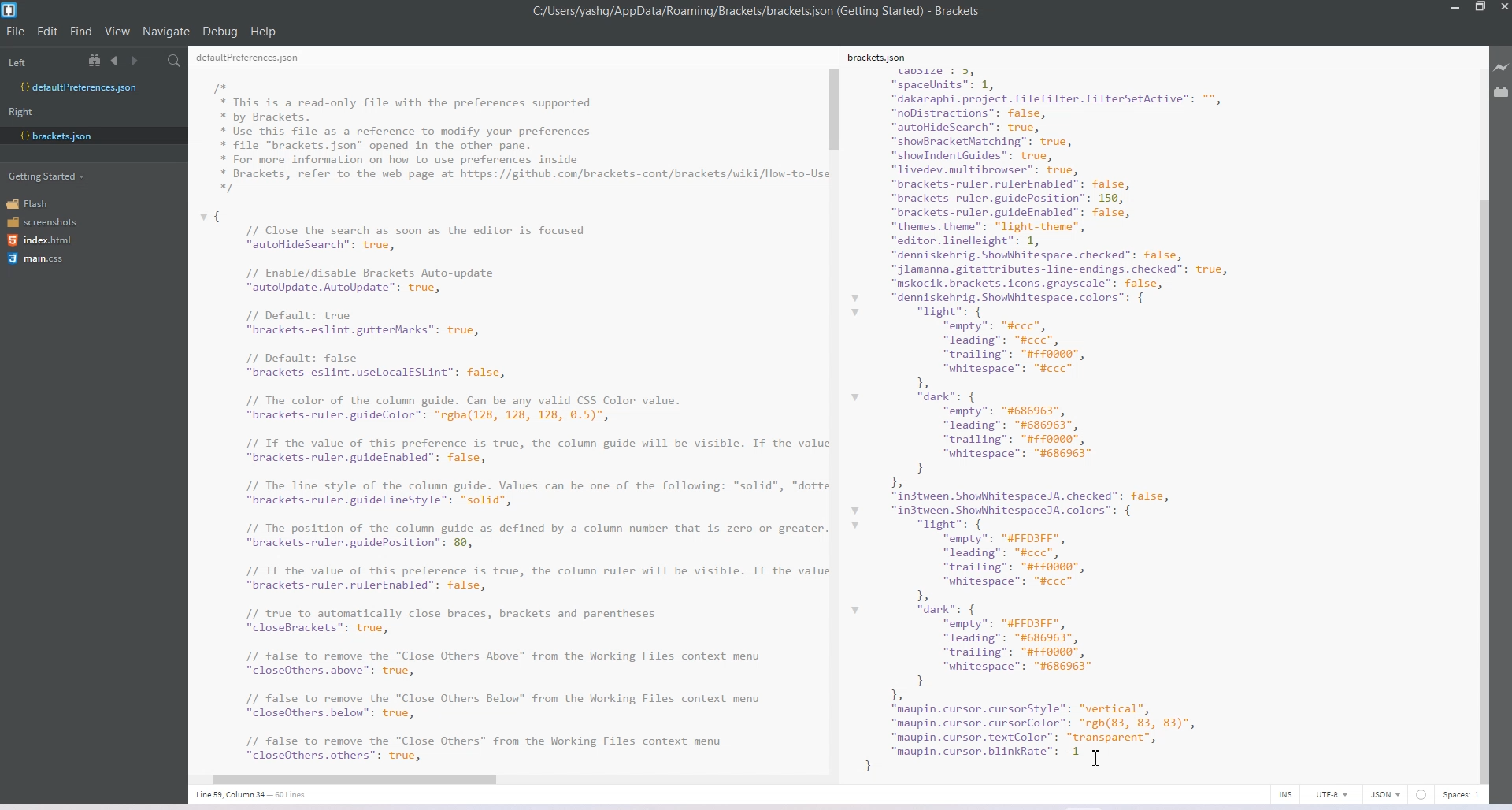 This screenshot has width=1512, height=810. Describe the element at coordinates (48, 175) in the screenshot. I see `Getting Started` at that location.